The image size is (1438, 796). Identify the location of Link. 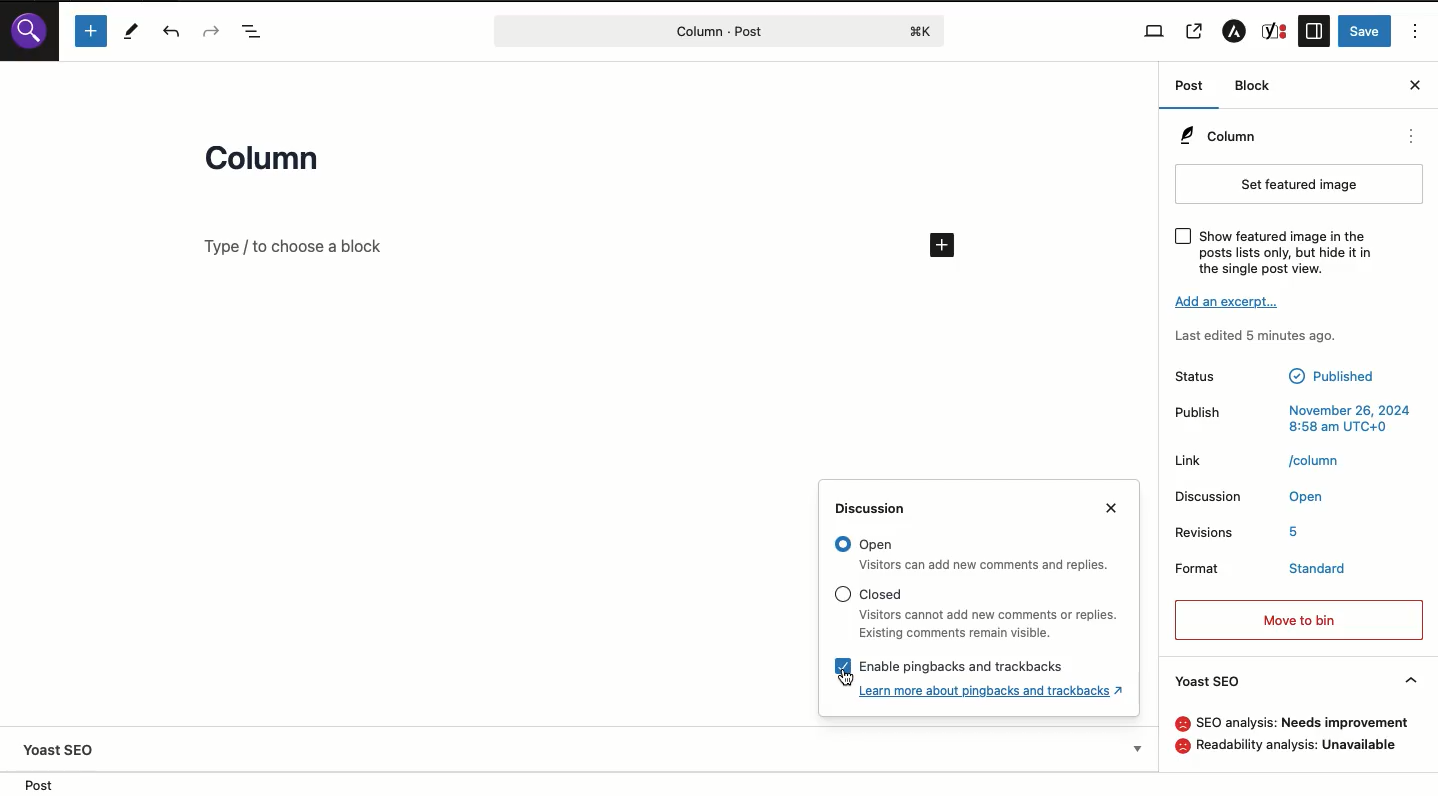
(1192, 460).